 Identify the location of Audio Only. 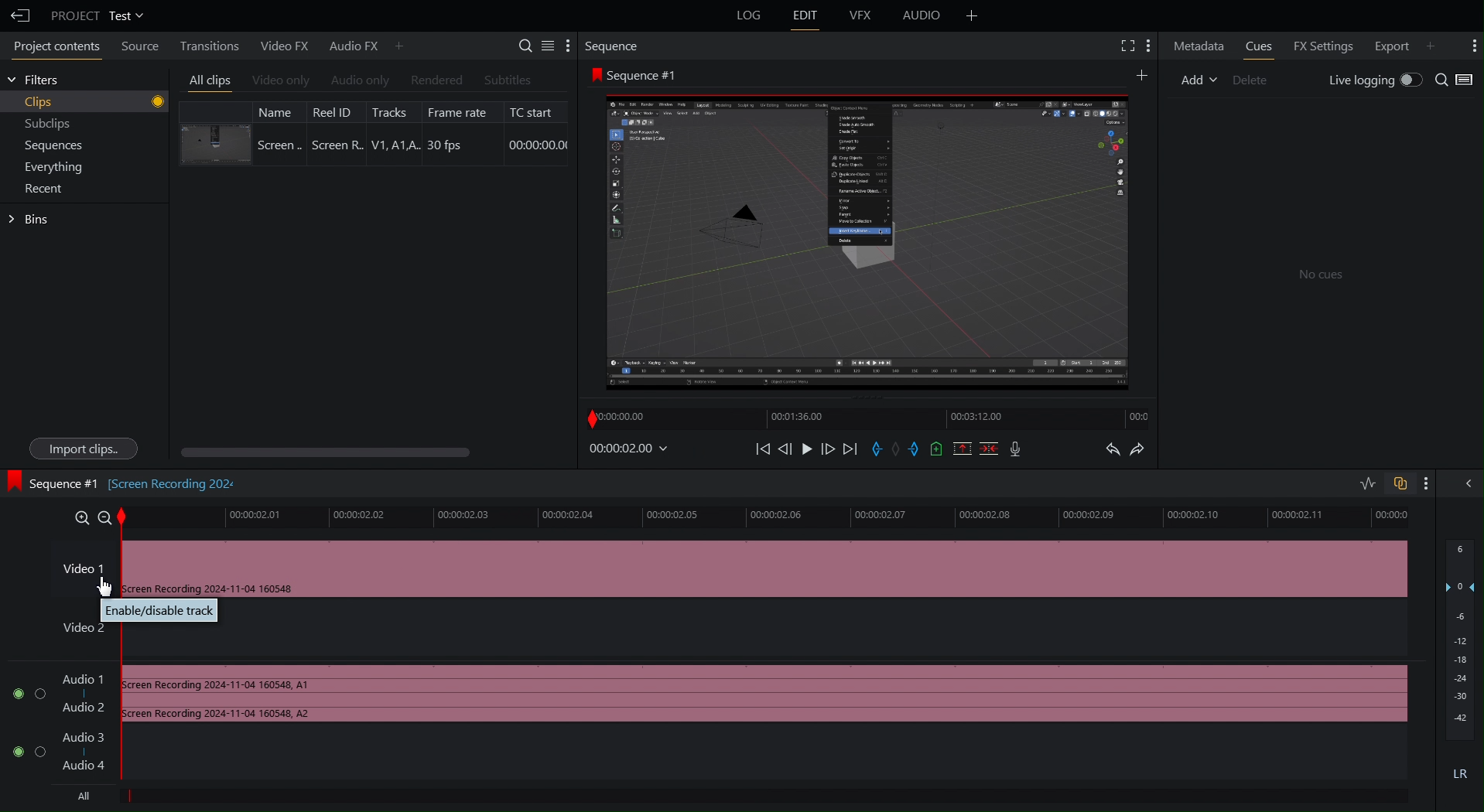
(358, 80).